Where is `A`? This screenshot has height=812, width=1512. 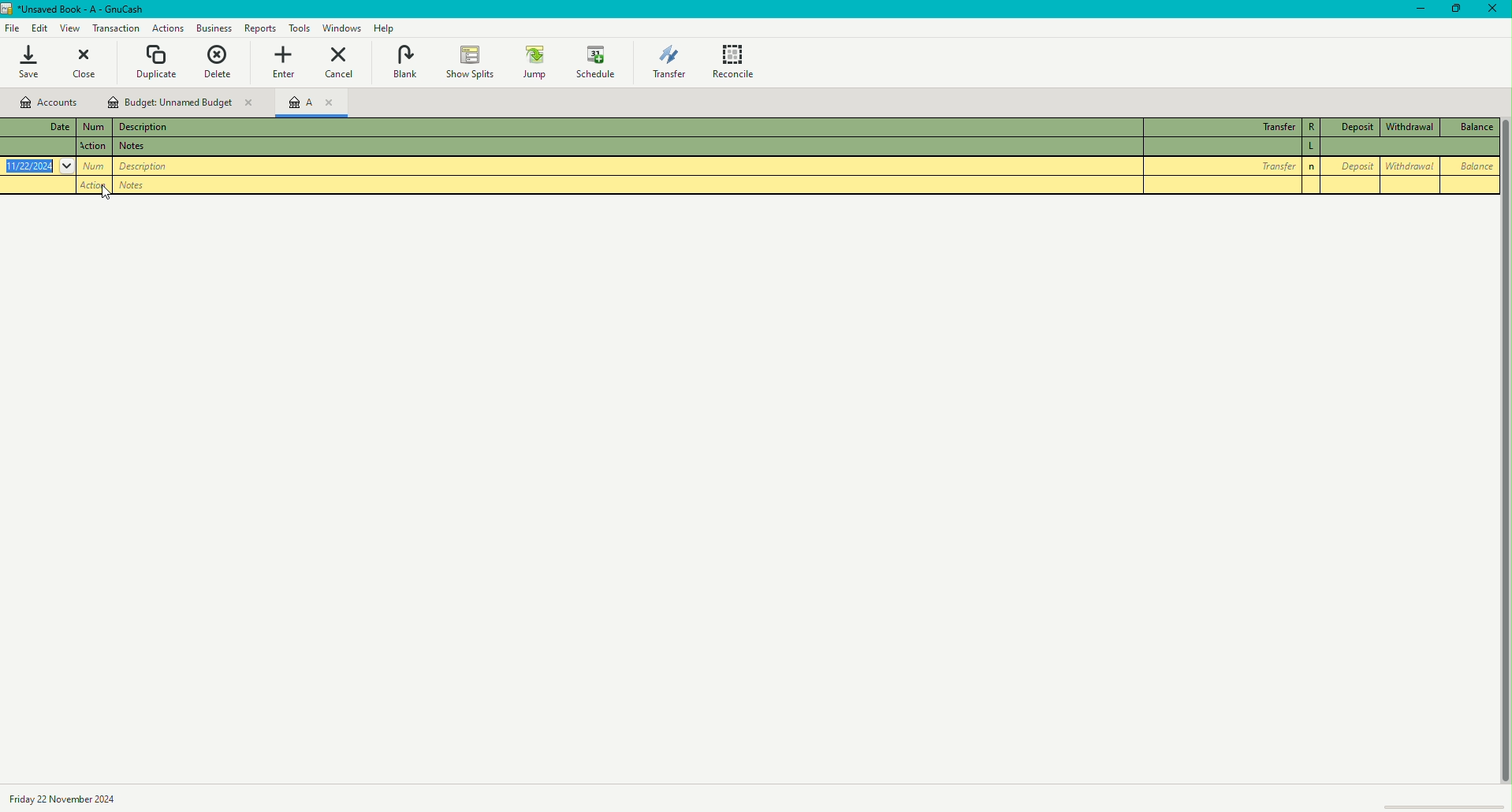 A is located at coordinates (318, 102).